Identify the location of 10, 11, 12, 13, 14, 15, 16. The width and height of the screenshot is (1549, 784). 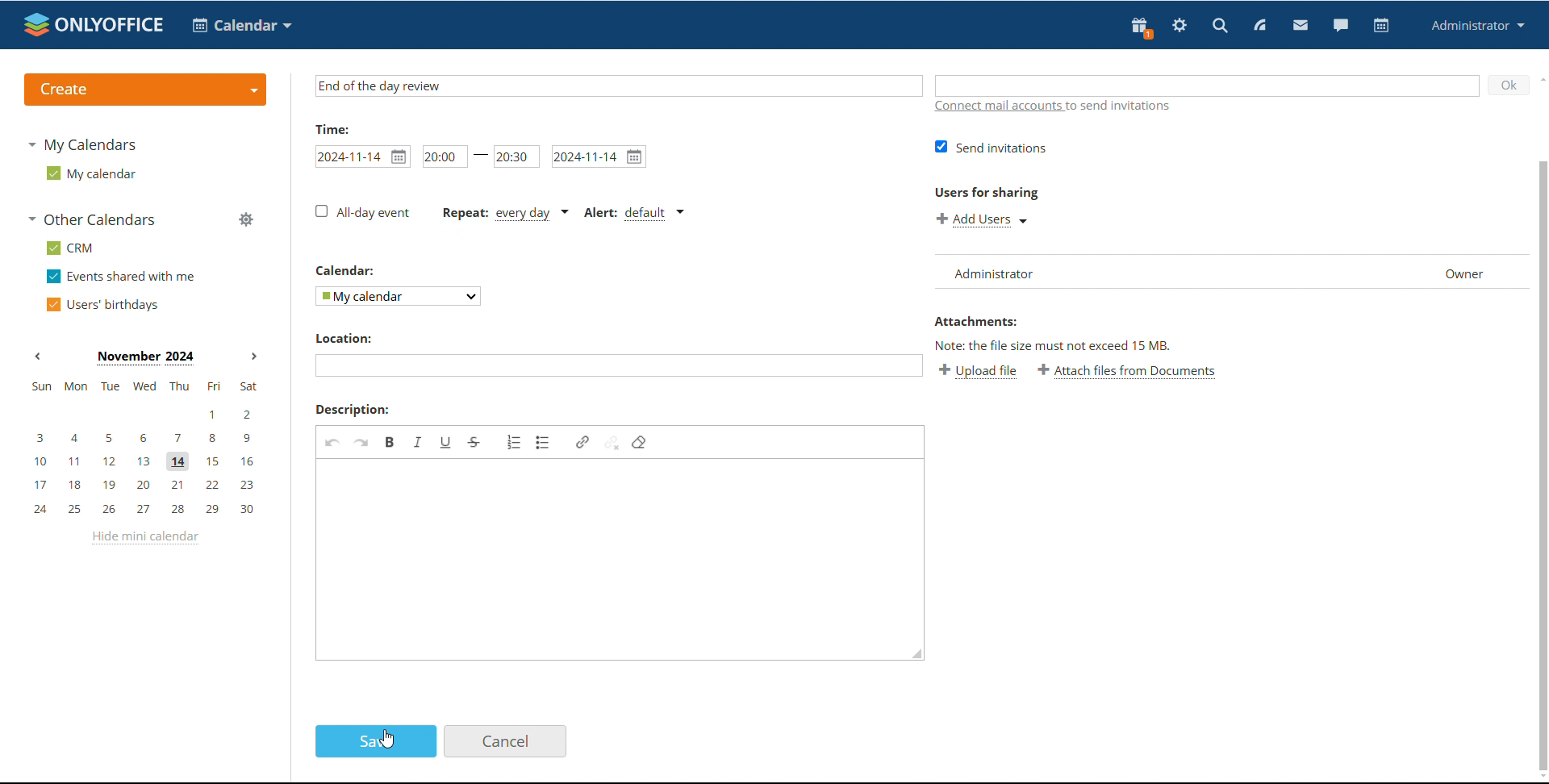
(148, 462).